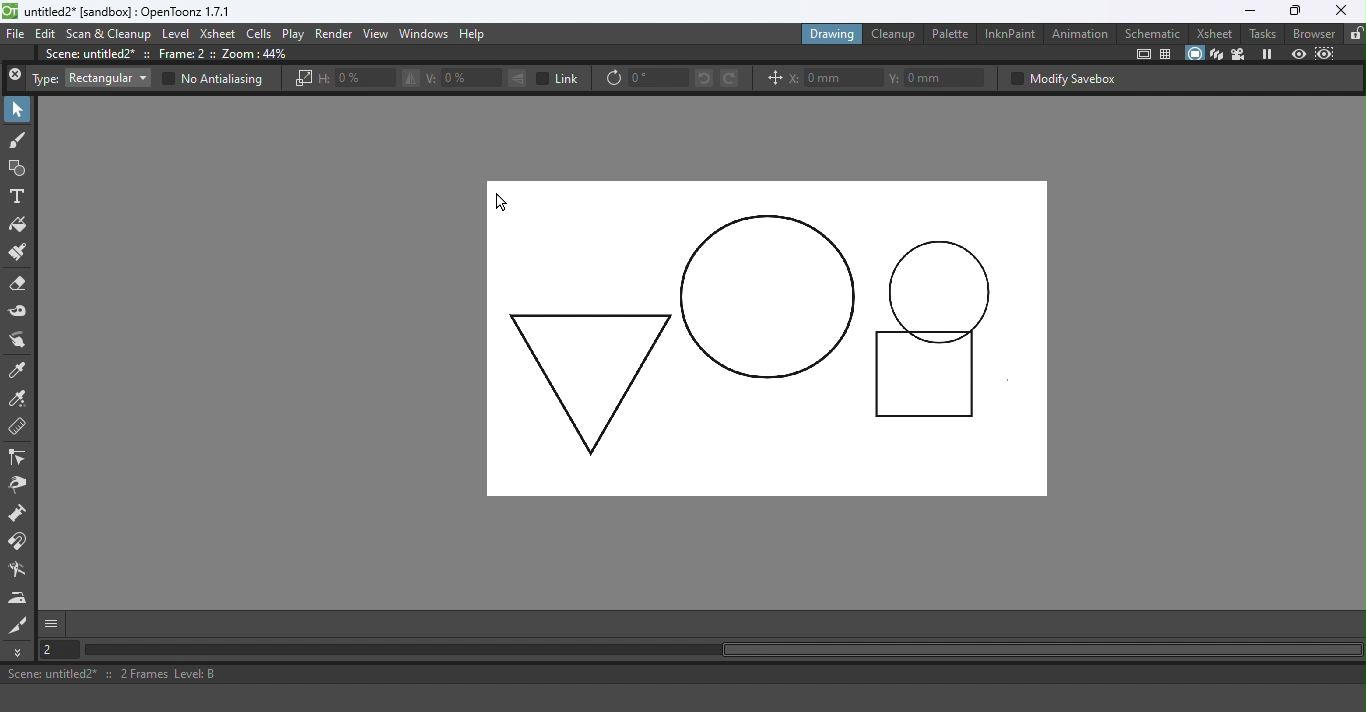 The height and width of the screenshot is (712, 1366). What do you see at coordinates (1154, 32) in the screenshot?
I see `Schematic` at bounding box center [1154, 32].